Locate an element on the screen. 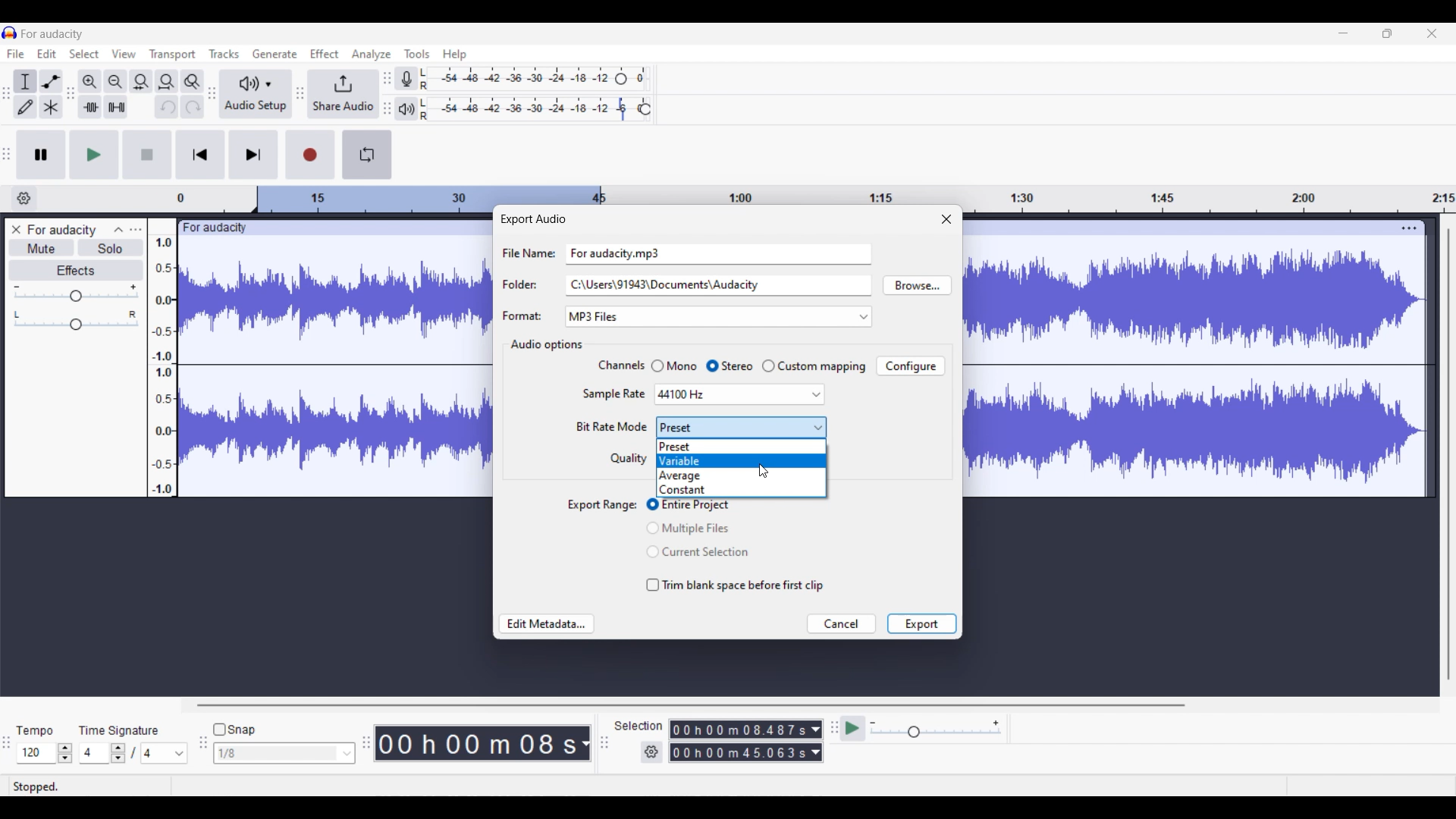 This screenshot has height=819, width=1456. Horizontal slide bar is located at coordinates (690, 705).